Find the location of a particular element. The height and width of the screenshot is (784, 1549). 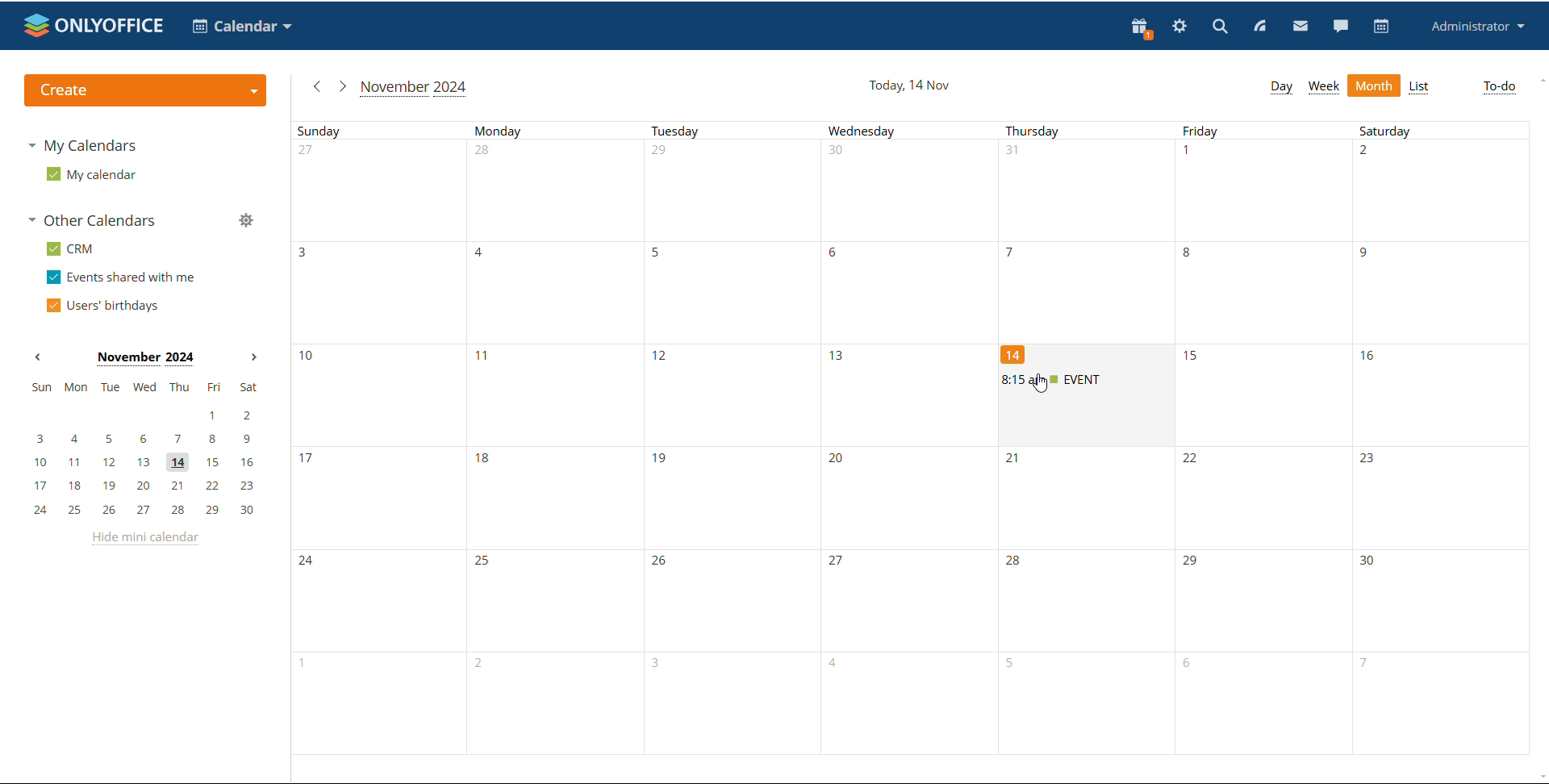

27, 28, 29, 30, 31, 1, 2 is located at coordinates (919, 190).